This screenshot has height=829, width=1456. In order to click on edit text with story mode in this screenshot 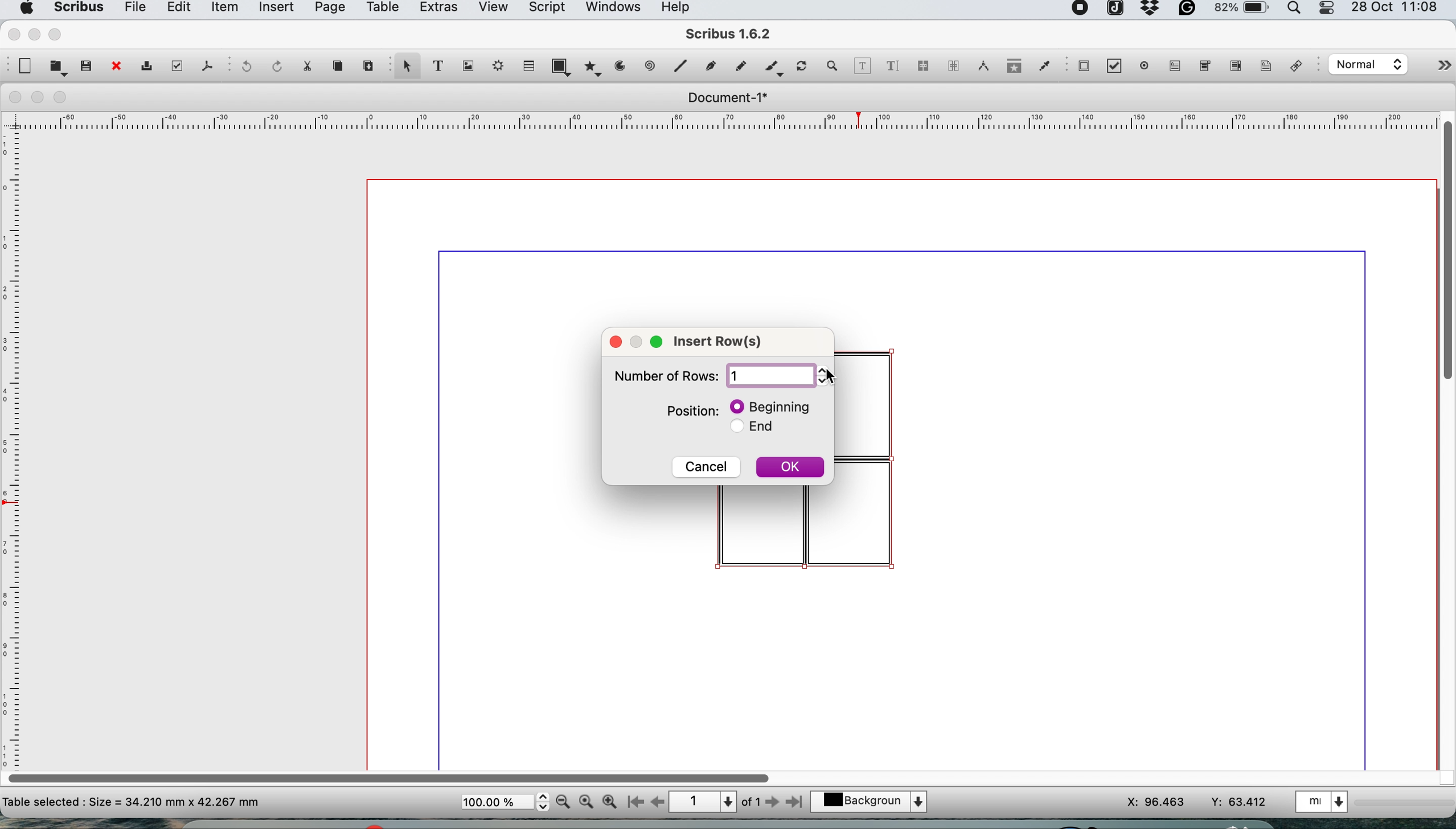, I will do `click(892, 67)`.